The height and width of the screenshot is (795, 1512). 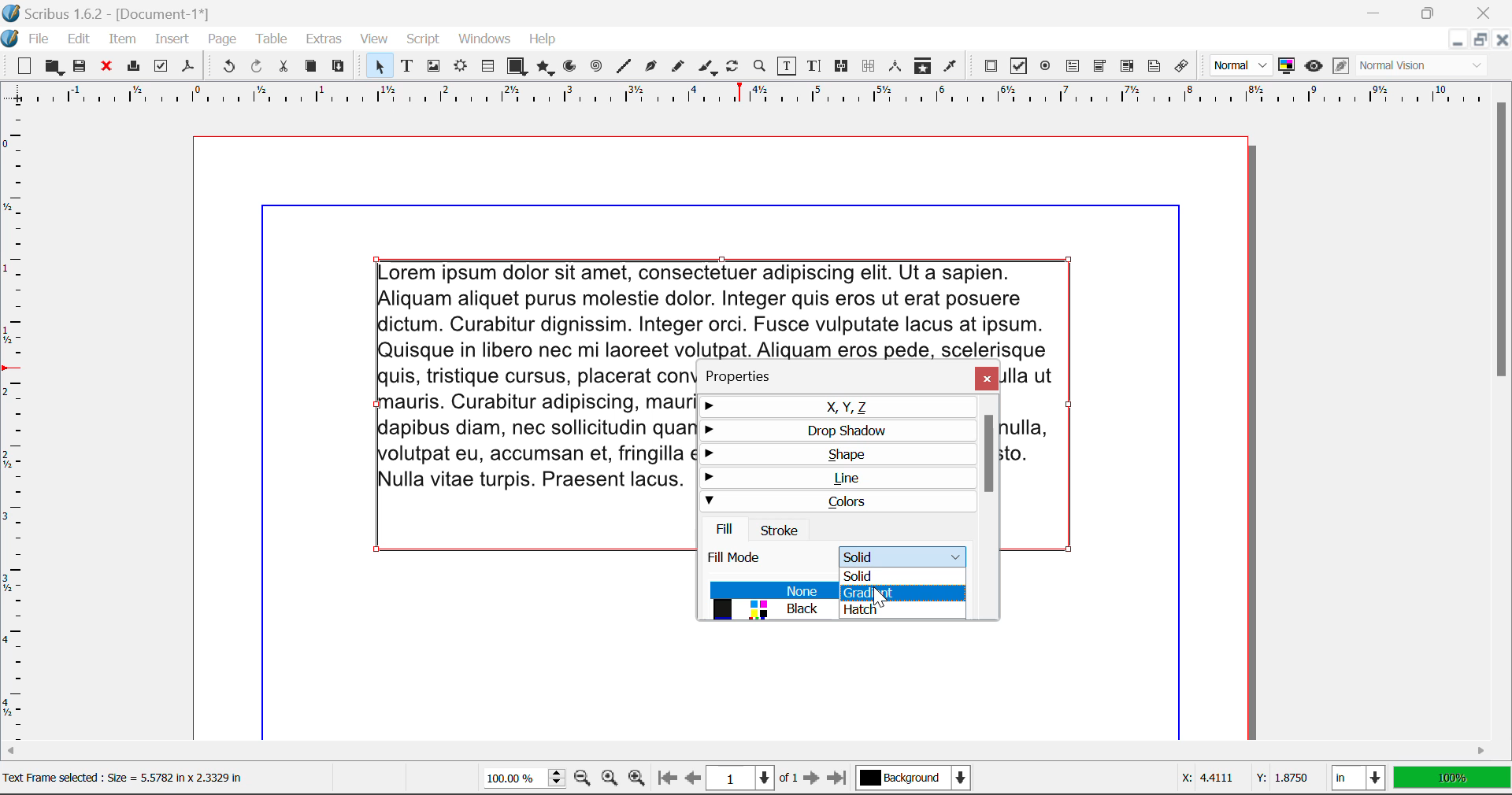 I want to click on Item, so click(x=123, y=41).